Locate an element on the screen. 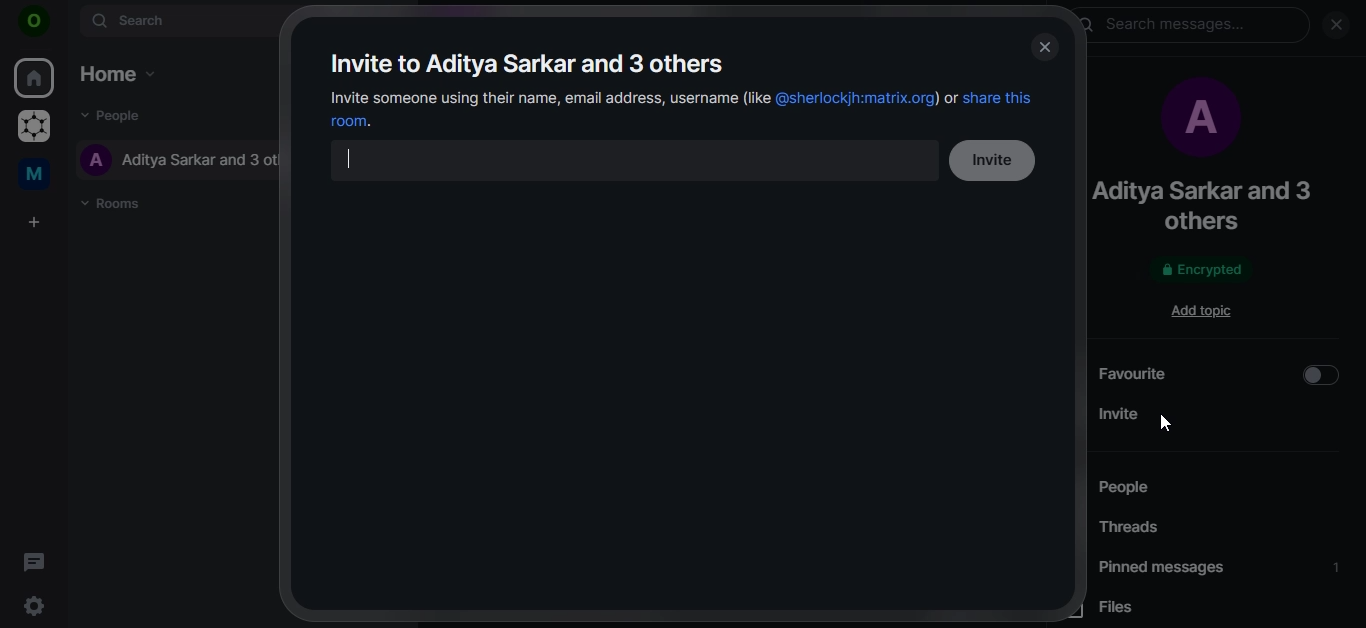 This screenshot has width=1366, height=628. home is located at coordinates (35, 76).